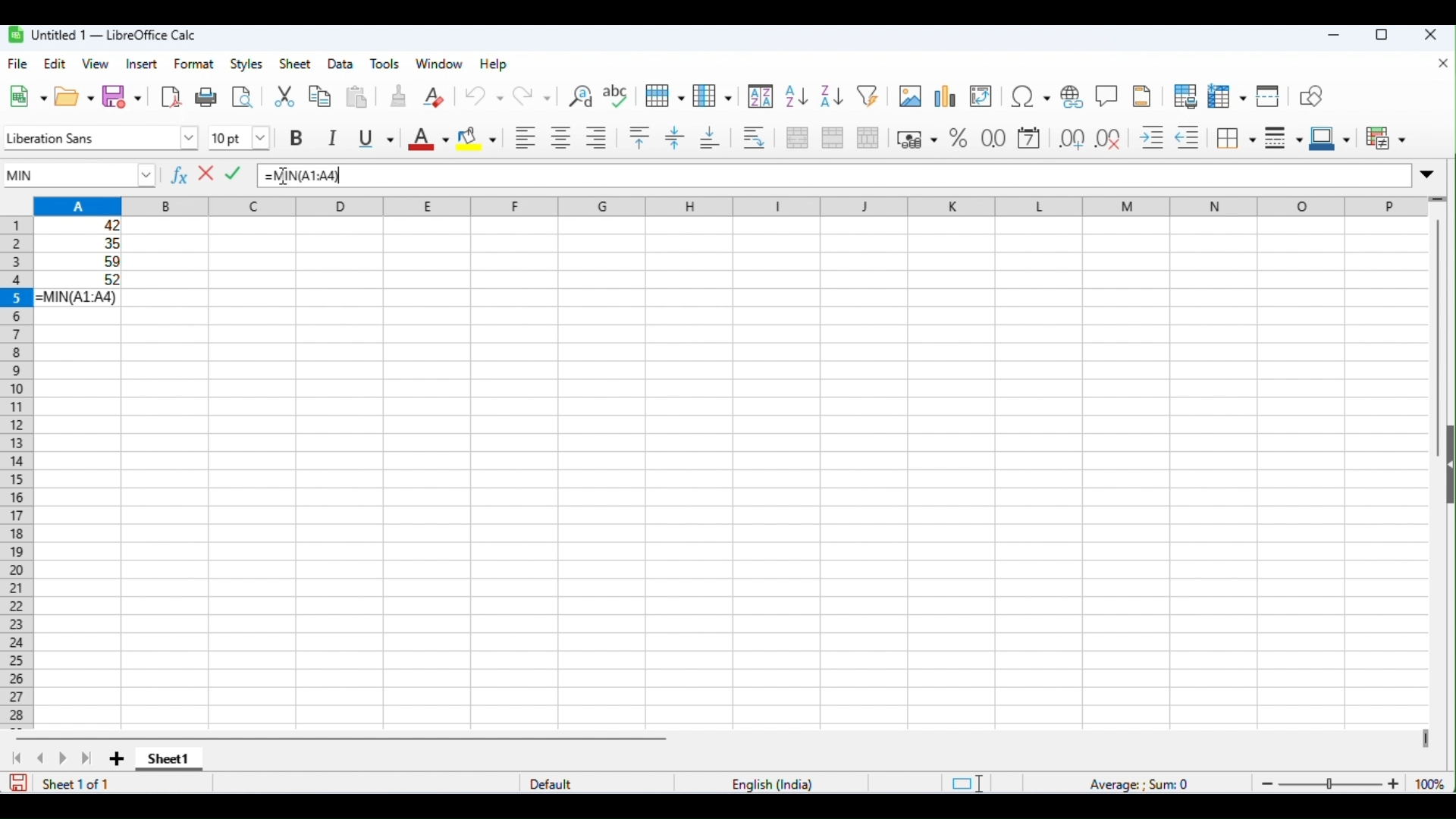 The image size is (1456, 819). I want to click on insert comments, so click(1106, 96).